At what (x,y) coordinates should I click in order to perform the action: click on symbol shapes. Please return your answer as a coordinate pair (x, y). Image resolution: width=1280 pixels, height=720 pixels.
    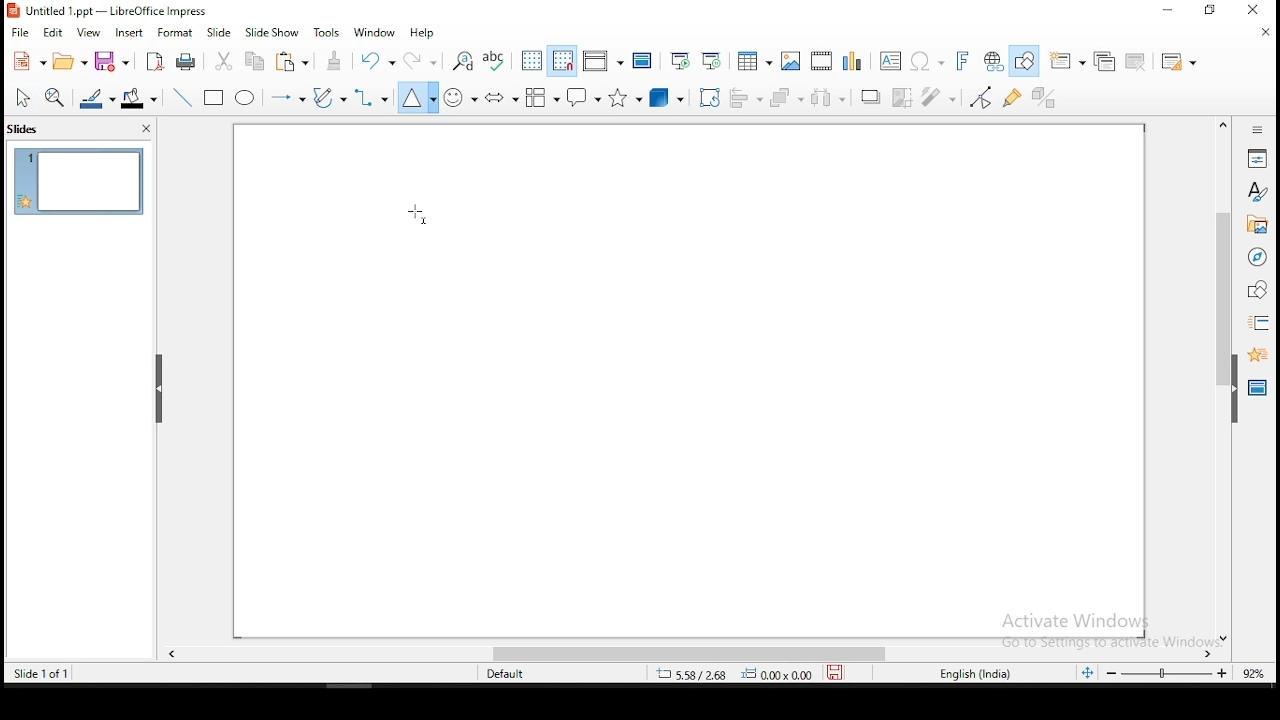
    Looking at the image, I should click on (460, 97).